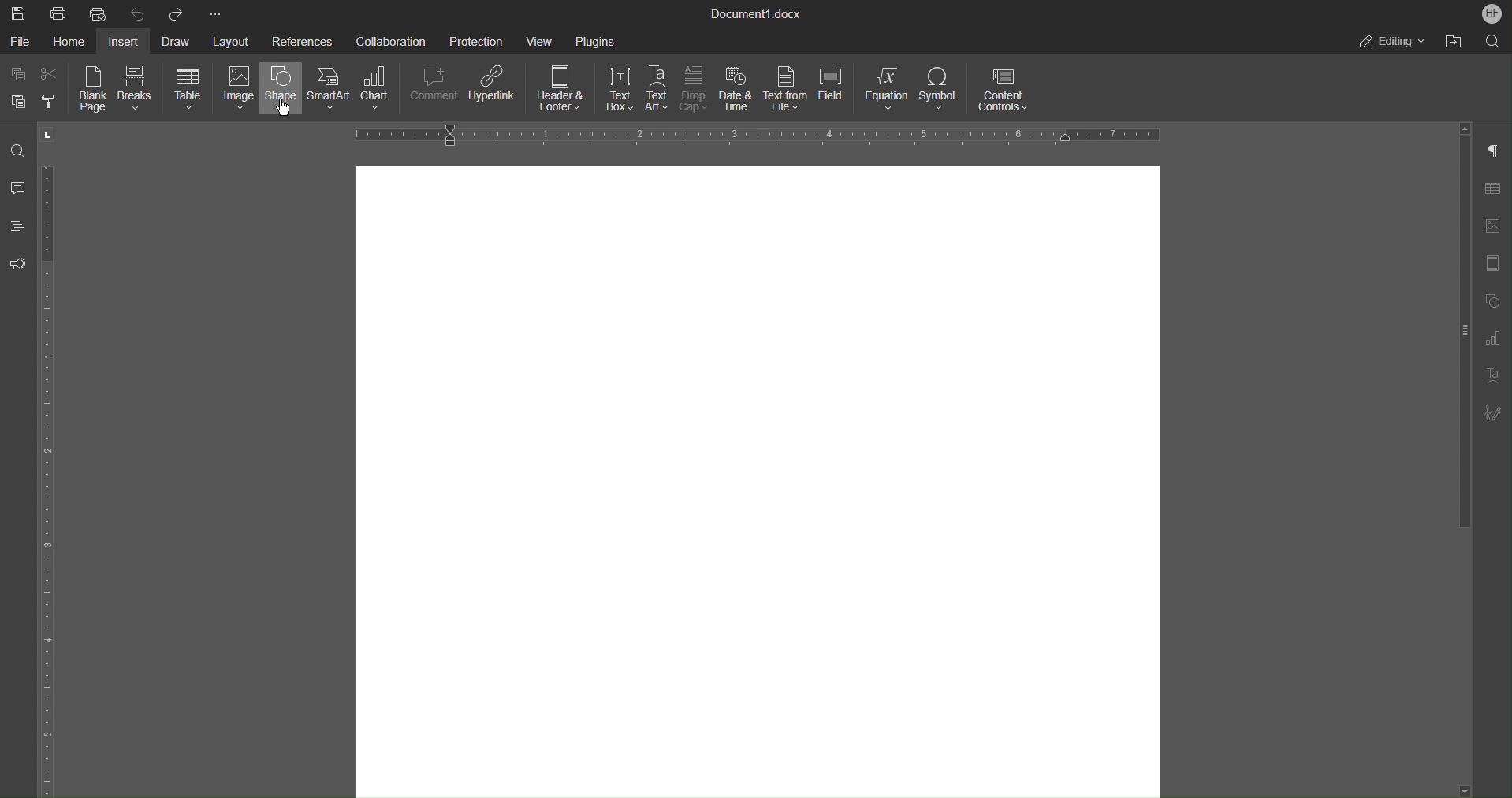 This screenshot has height=798, width=1512. Describe the element at coordinates (1496, 263) in the screenshot. I see `Page Settings` at that location.